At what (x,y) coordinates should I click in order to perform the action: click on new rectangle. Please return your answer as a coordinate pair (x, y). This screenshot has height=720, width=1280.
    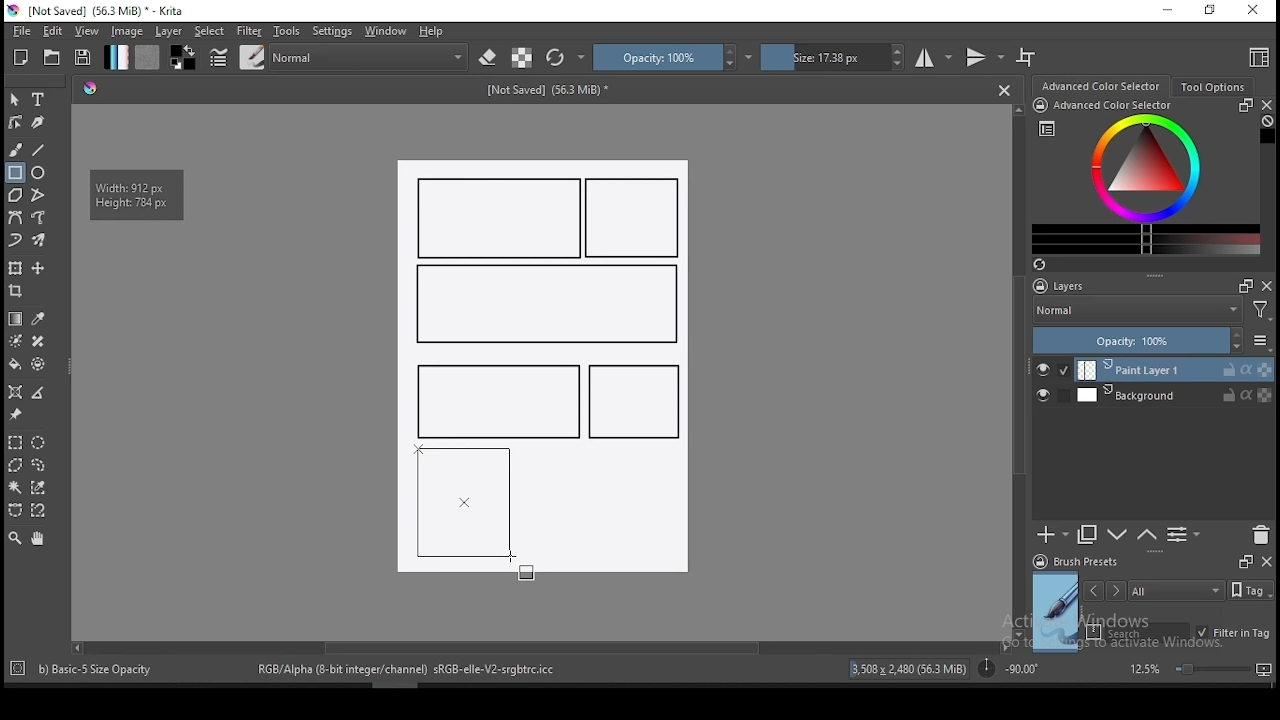
    Looking at the image, I should click on (494, 399).